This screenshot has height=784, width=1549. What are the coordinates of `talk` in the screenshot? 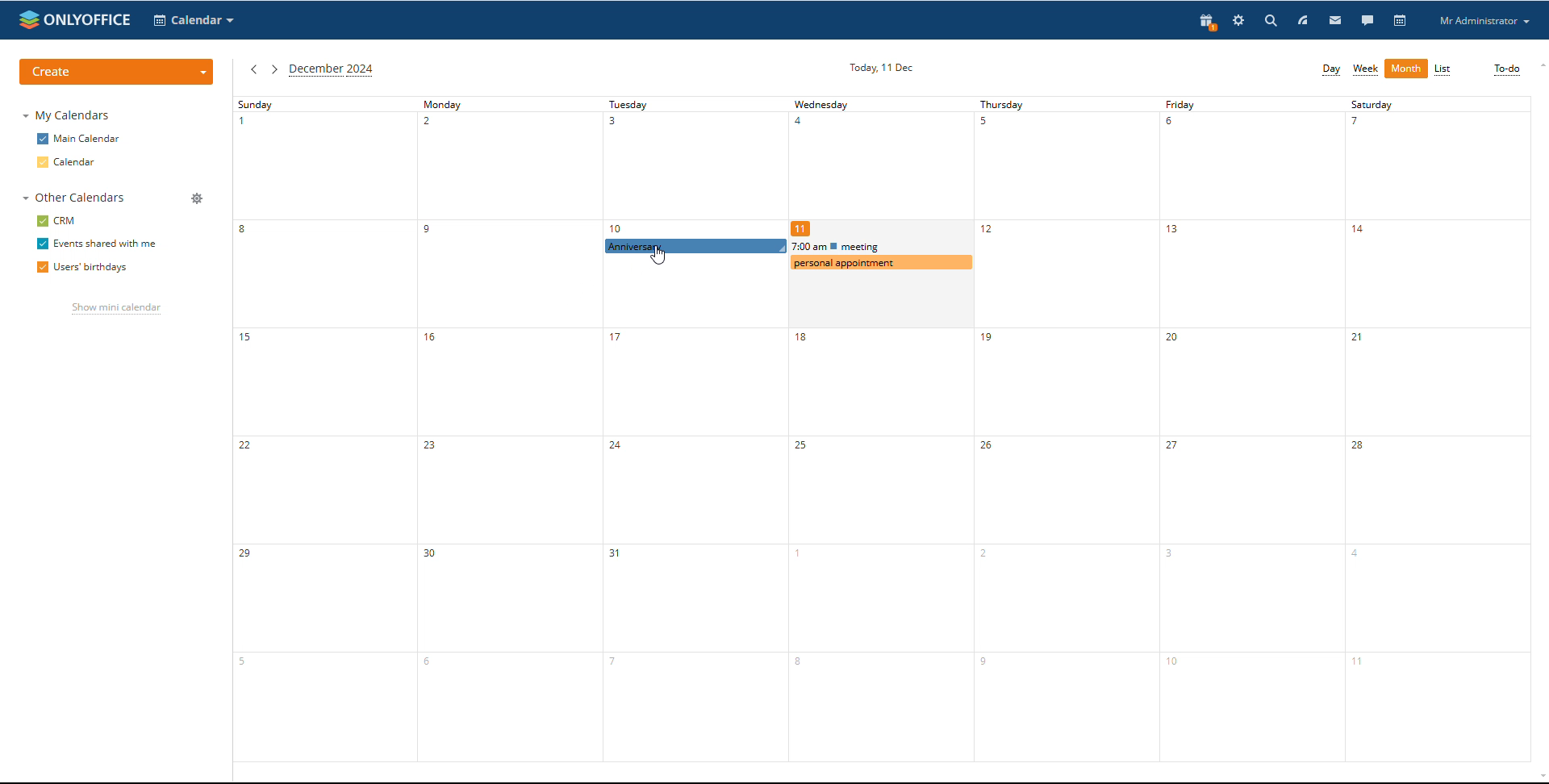 It's located at (1368, 20).